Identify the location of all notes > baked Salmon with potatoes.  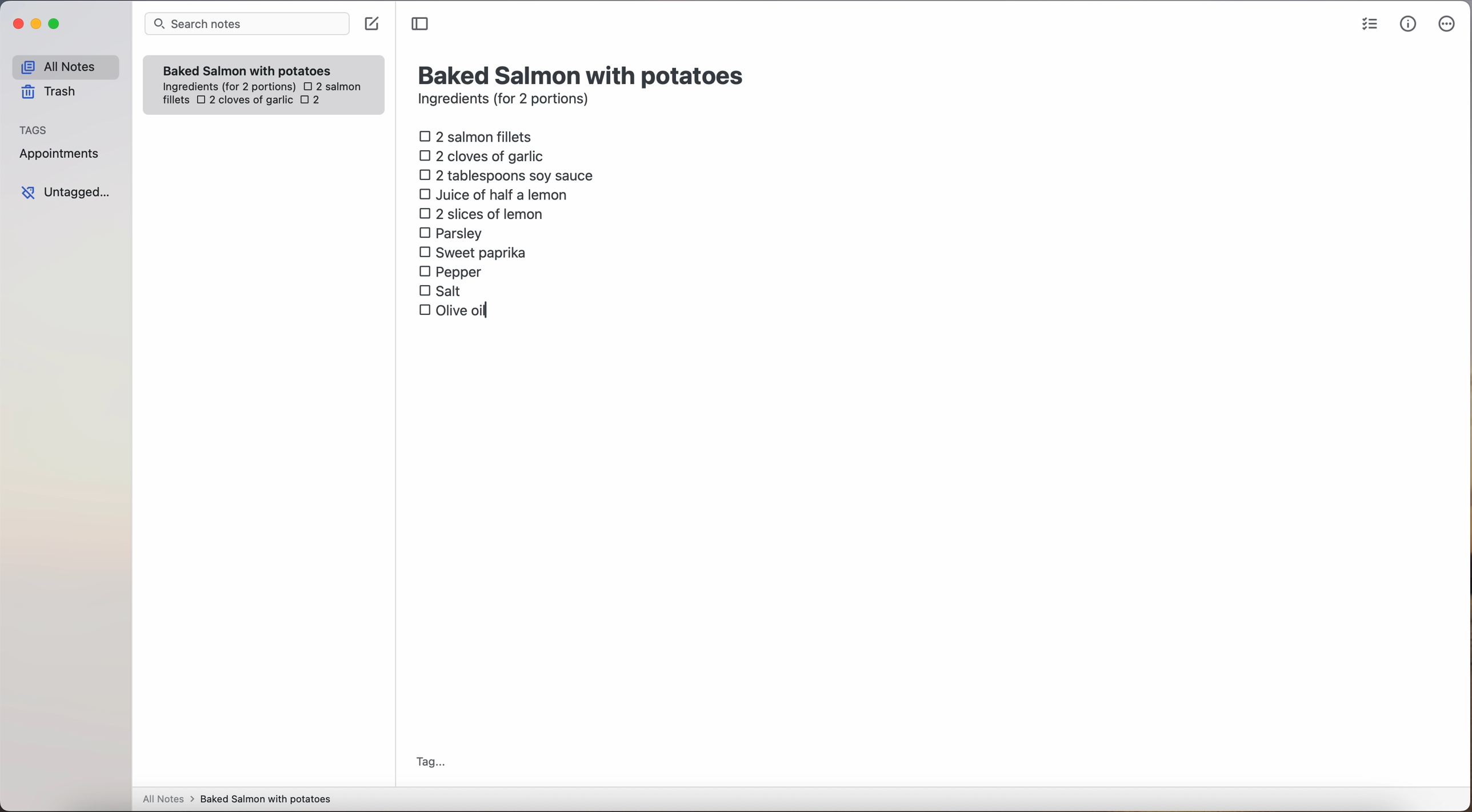
(237, 798).